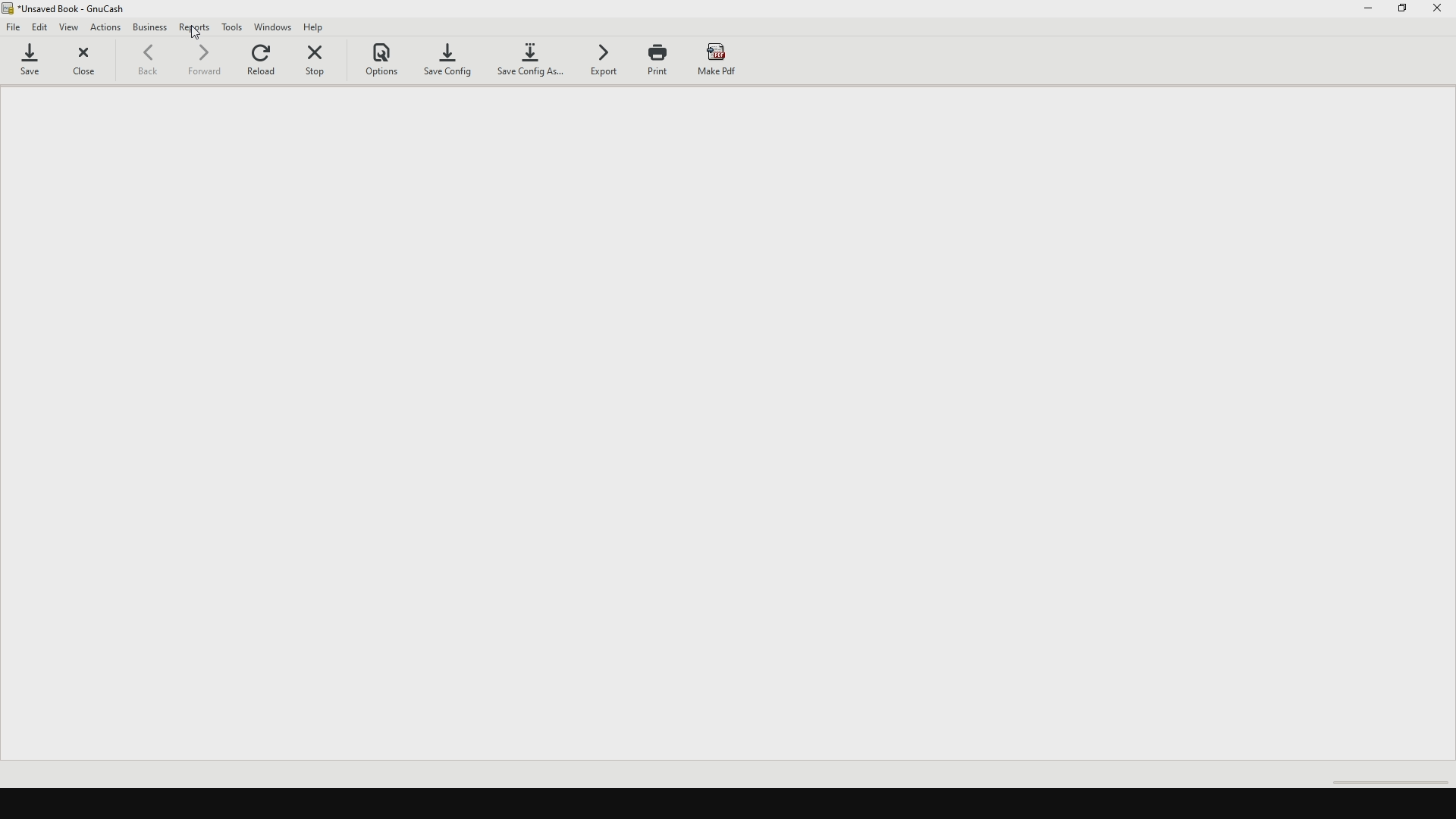 This screenshot has height=819, width=1456. Describe the element at coordinates (532, 64) in the screenshot. I see `save config as` at that location.